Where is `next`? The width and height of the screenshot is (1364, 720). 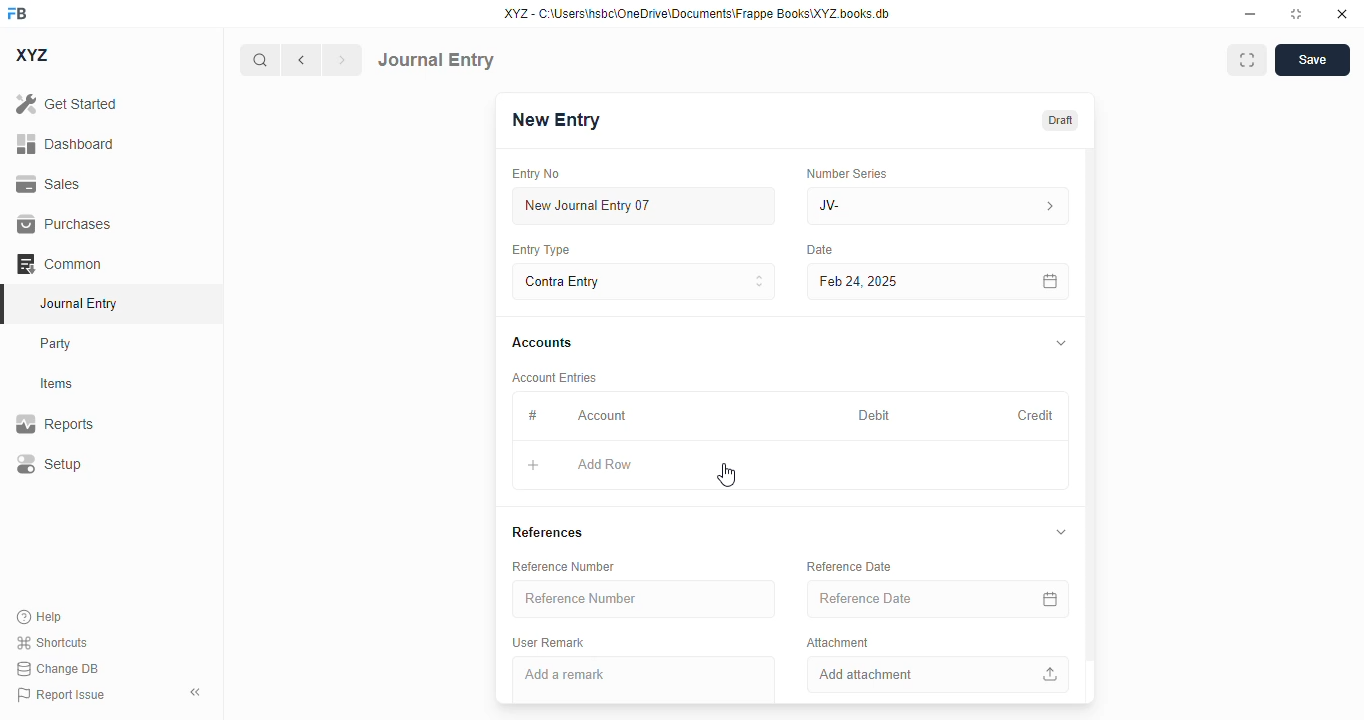
next is located at coordinates (343, 60).